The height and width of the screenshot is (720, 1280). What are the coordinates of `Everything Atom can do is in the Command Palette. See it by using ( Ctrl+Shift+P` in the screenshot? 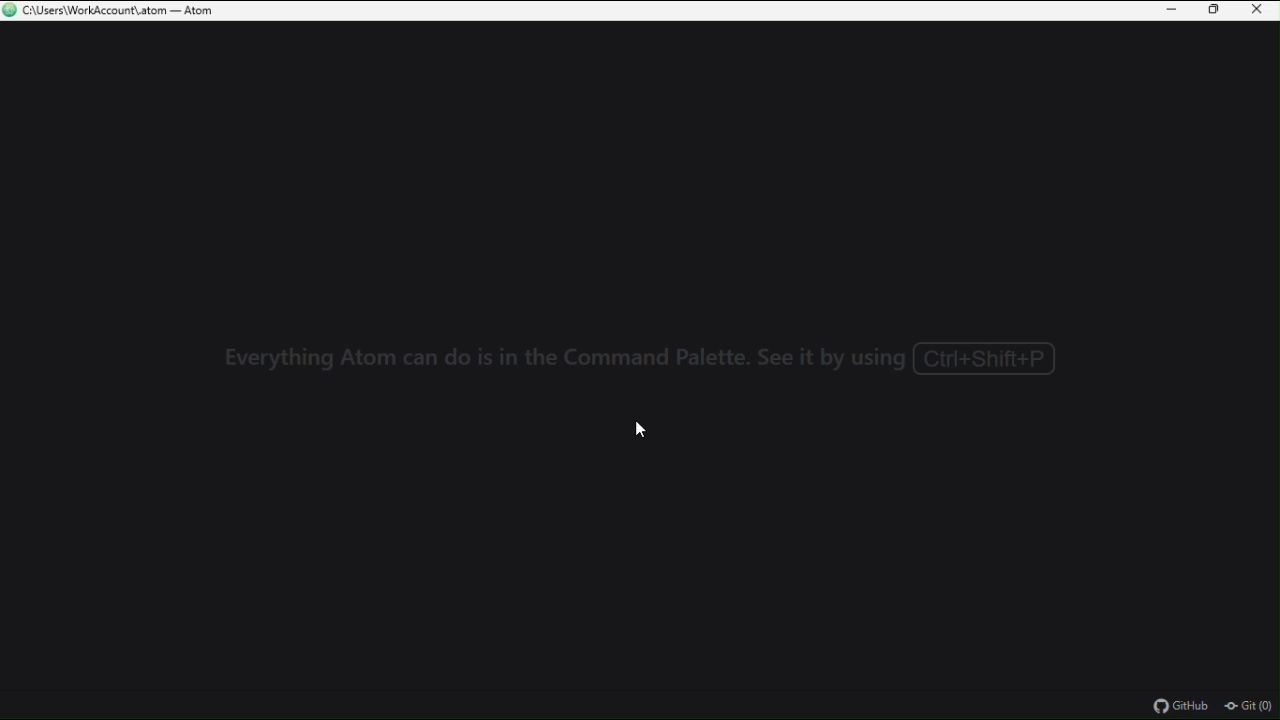 It's located at (638, 357).